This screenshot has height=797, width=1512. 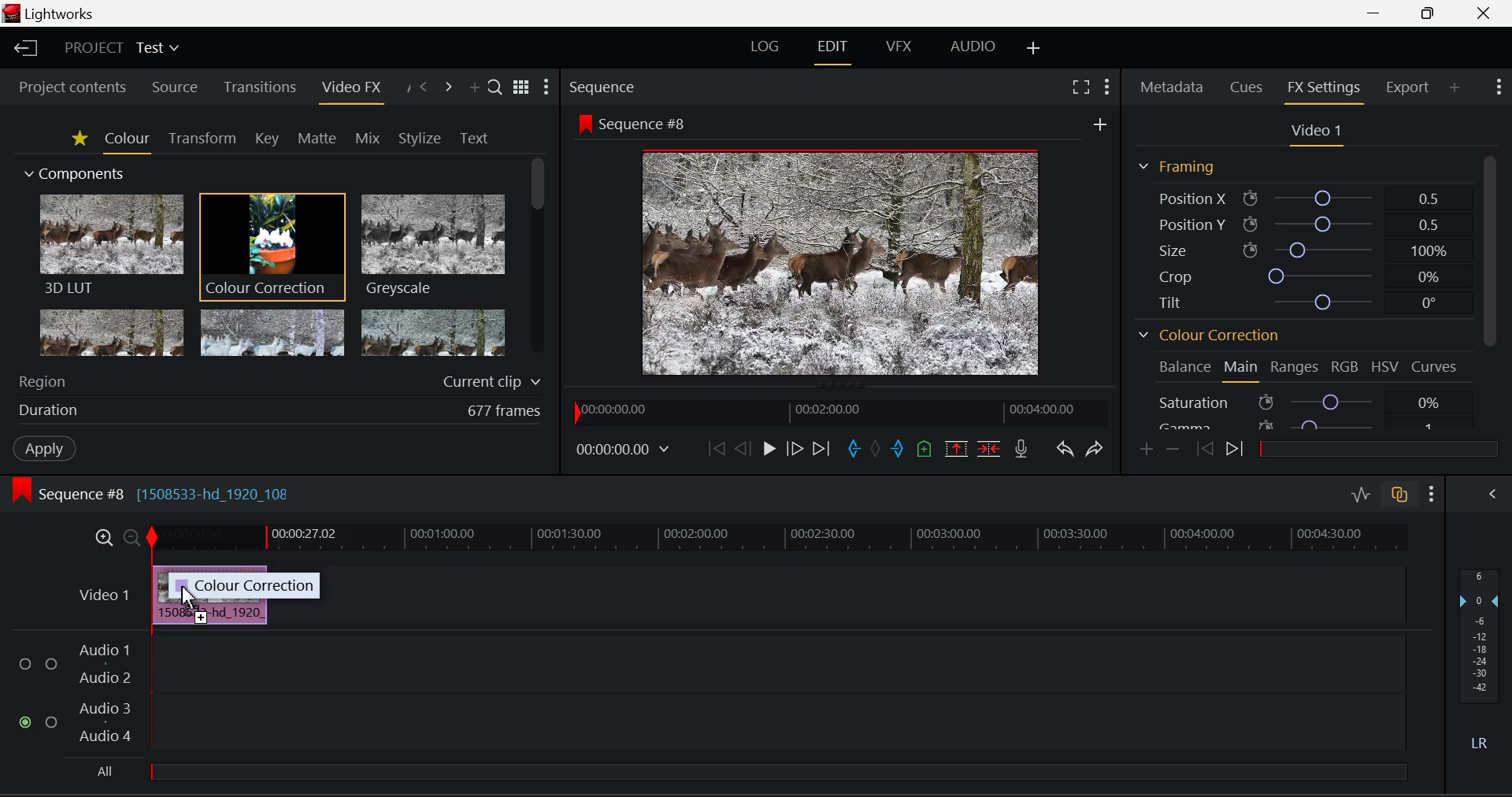 I want to click on Apply, so click(x=46, y=448).